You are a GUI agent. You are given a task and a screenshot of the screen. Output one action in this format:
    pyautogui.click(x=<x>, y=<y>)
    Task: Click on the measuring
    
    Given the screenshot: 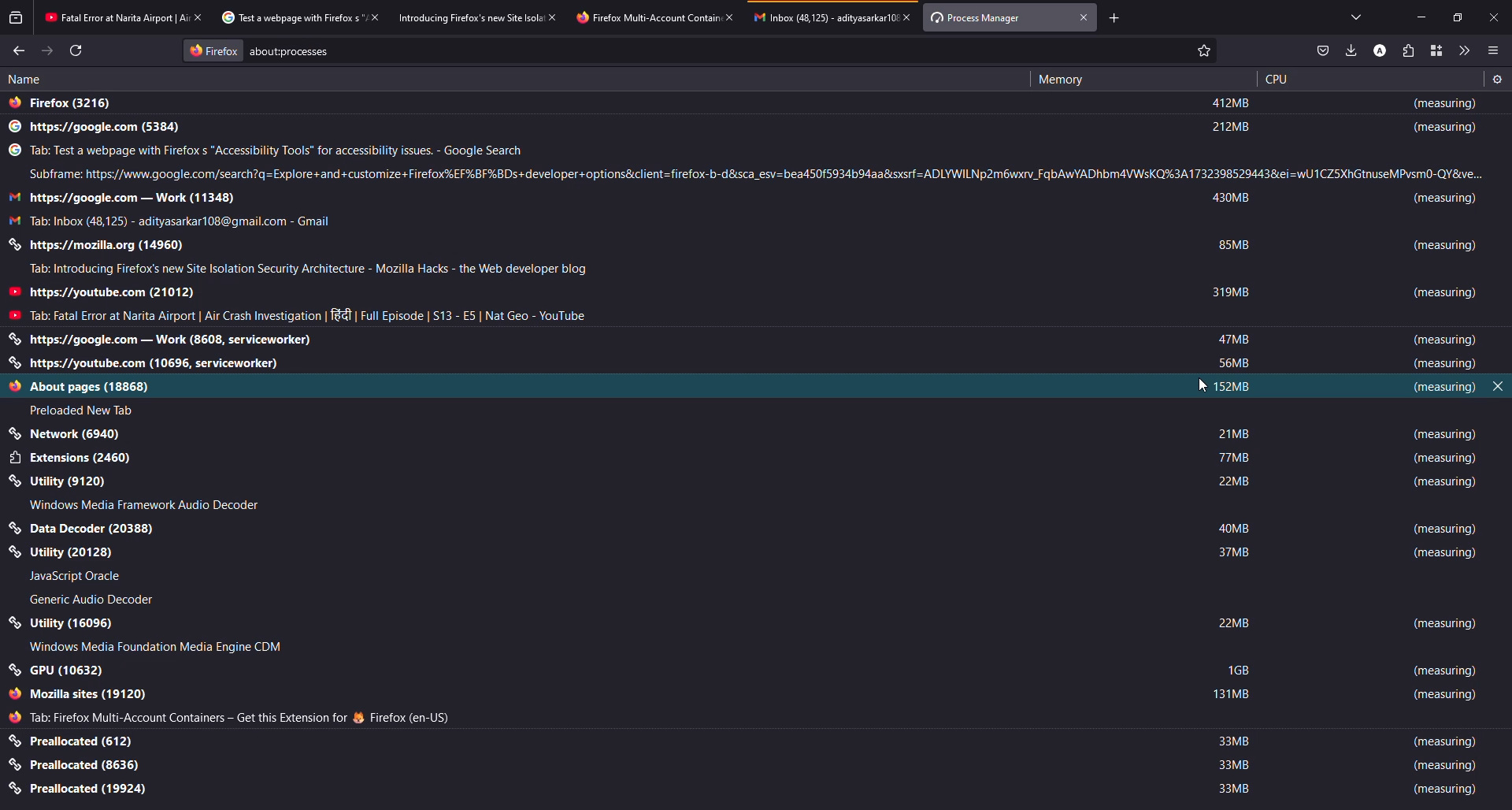 What is the action you would take?
    pyautogui.click(x=1446, y=339)
    